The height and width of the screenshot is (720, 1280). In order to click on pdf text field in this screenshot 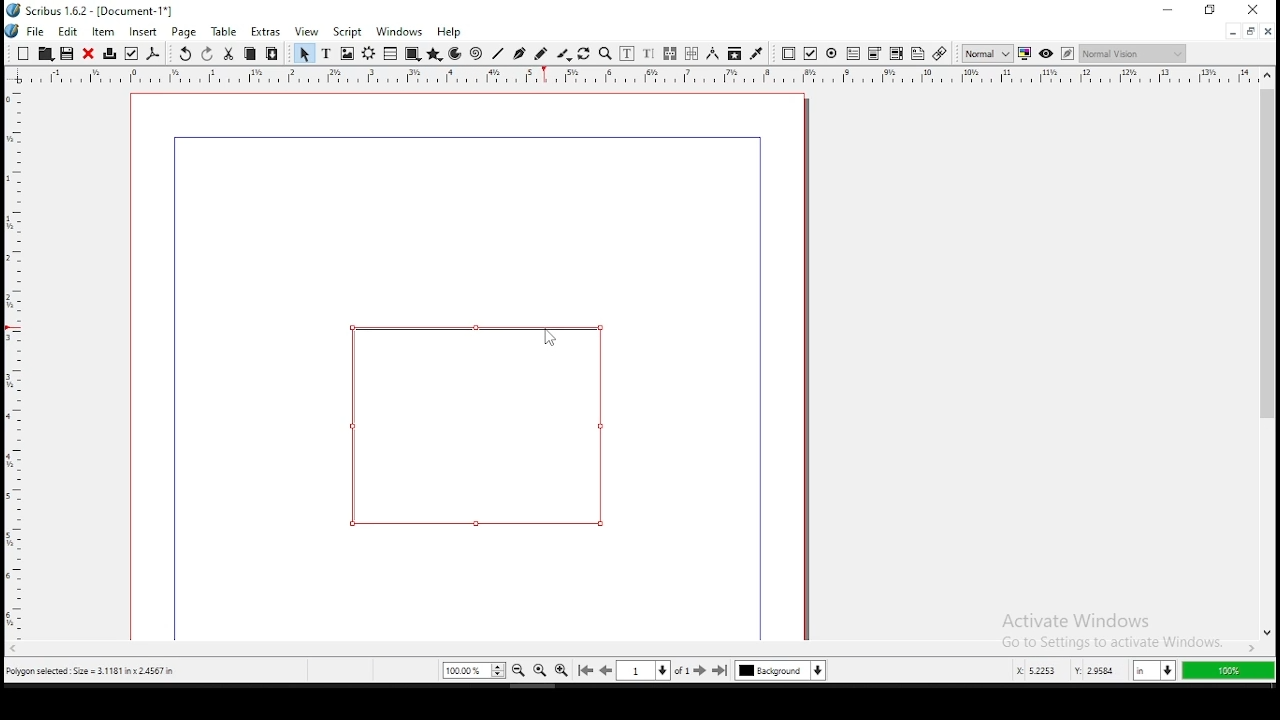, I will do `click(854, 54)`.